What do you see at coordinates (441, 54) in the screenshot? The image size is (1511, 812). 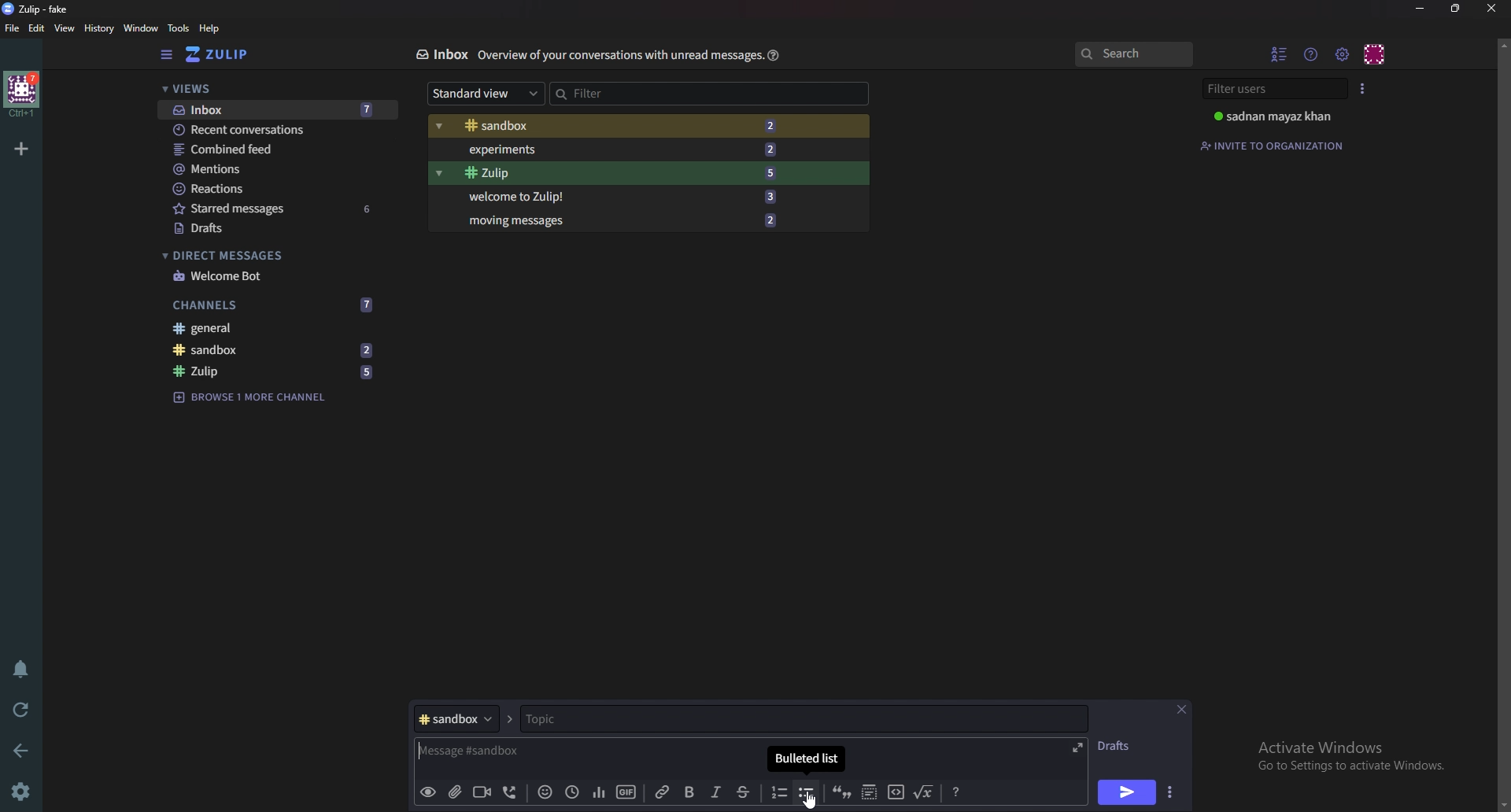 I see `Inbox` at bounding box center [441, 54].